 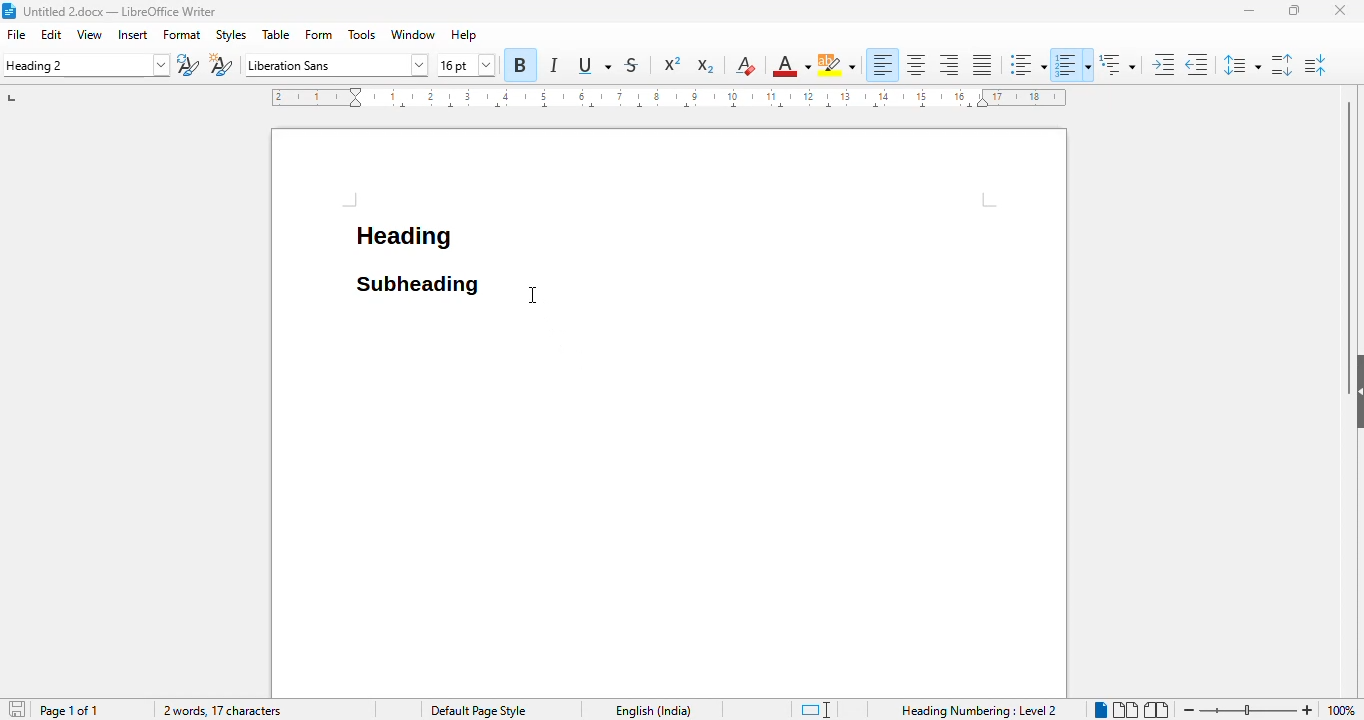 I want to click on toggle unordered list, so click(x=1026, y=65).